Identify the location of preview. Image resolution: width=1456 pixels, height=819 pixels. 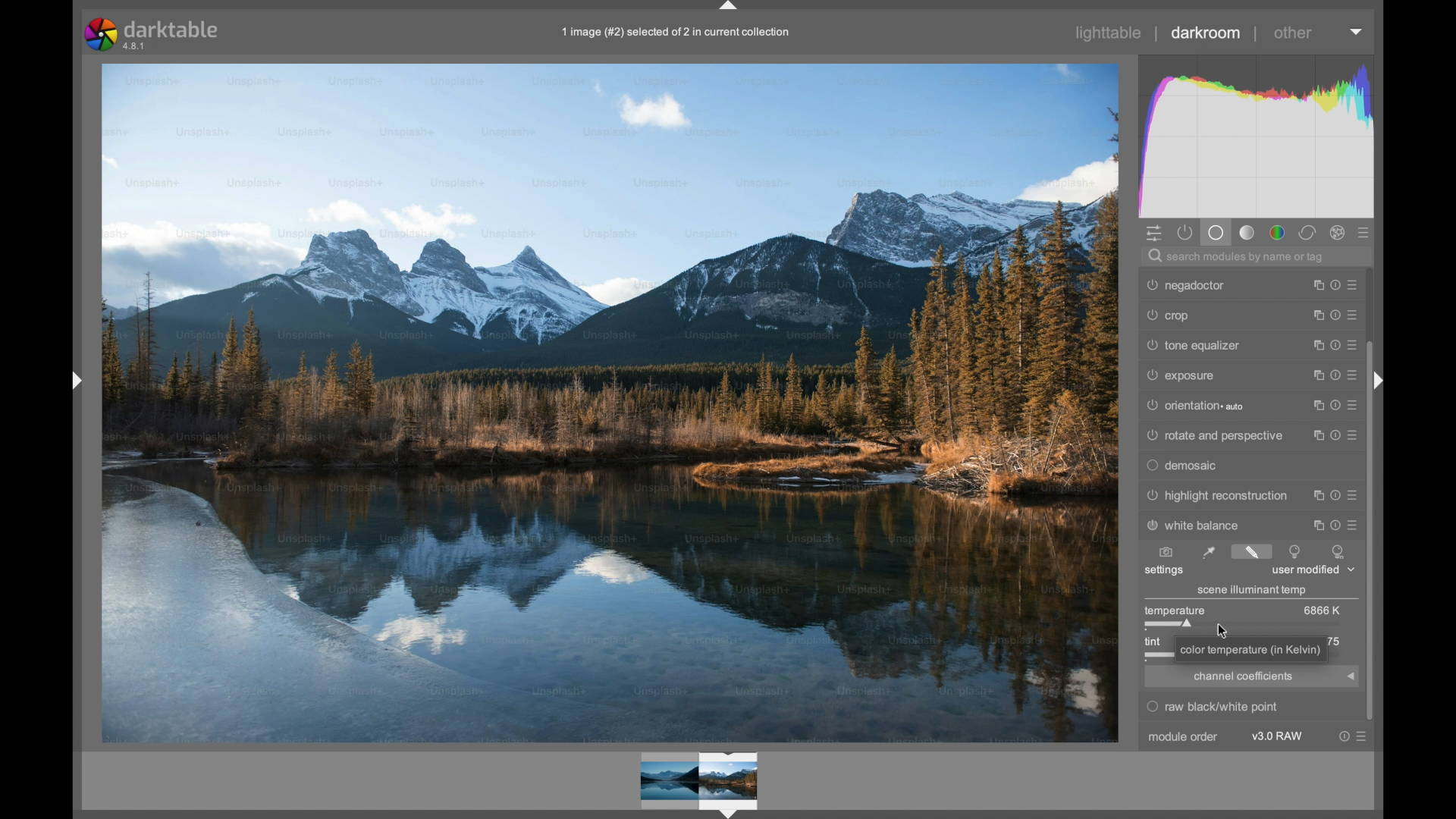
(704, 785).